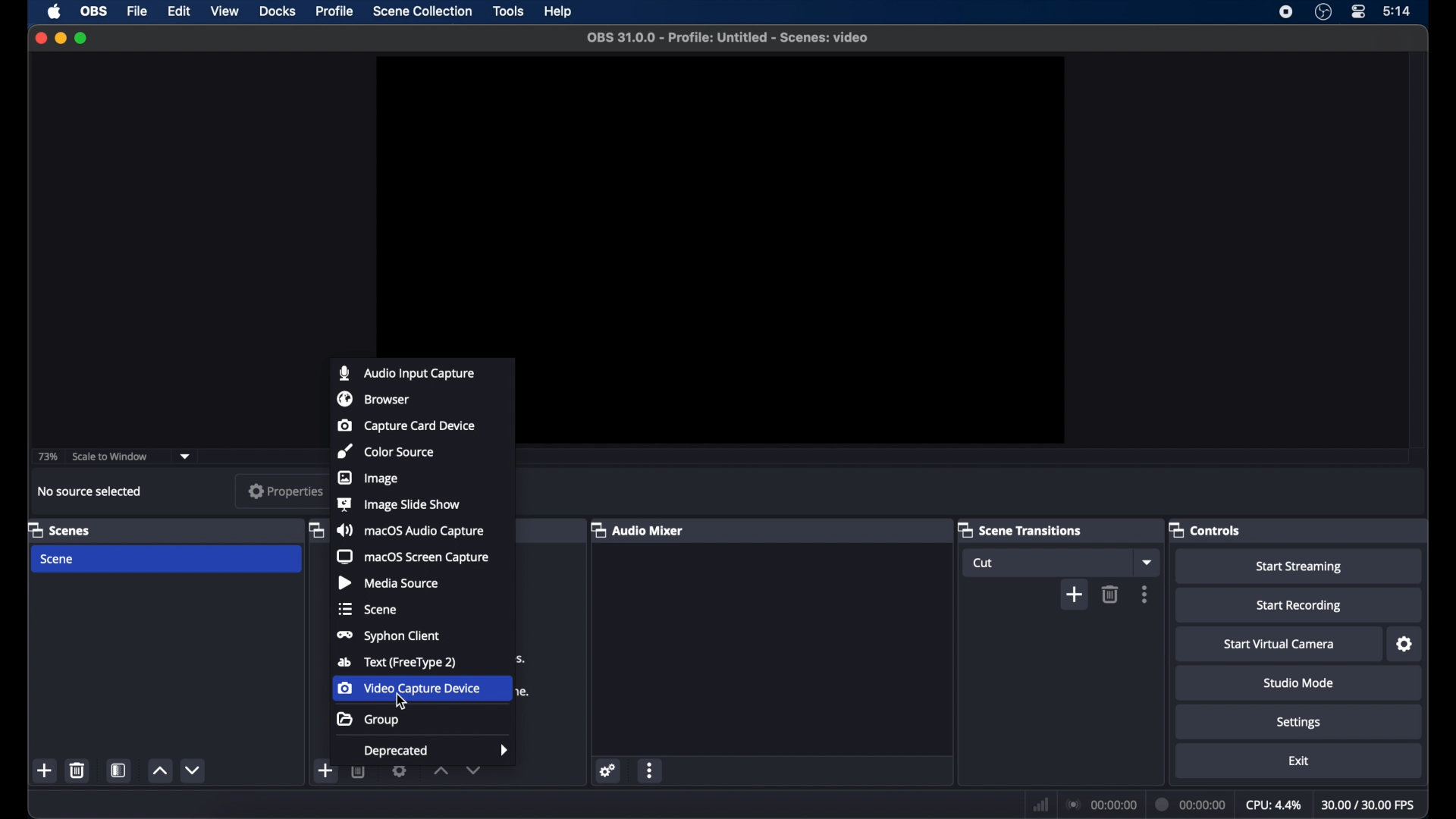 This screenshot has height=819, width=1456. I want to click on close, so click(39, 38).